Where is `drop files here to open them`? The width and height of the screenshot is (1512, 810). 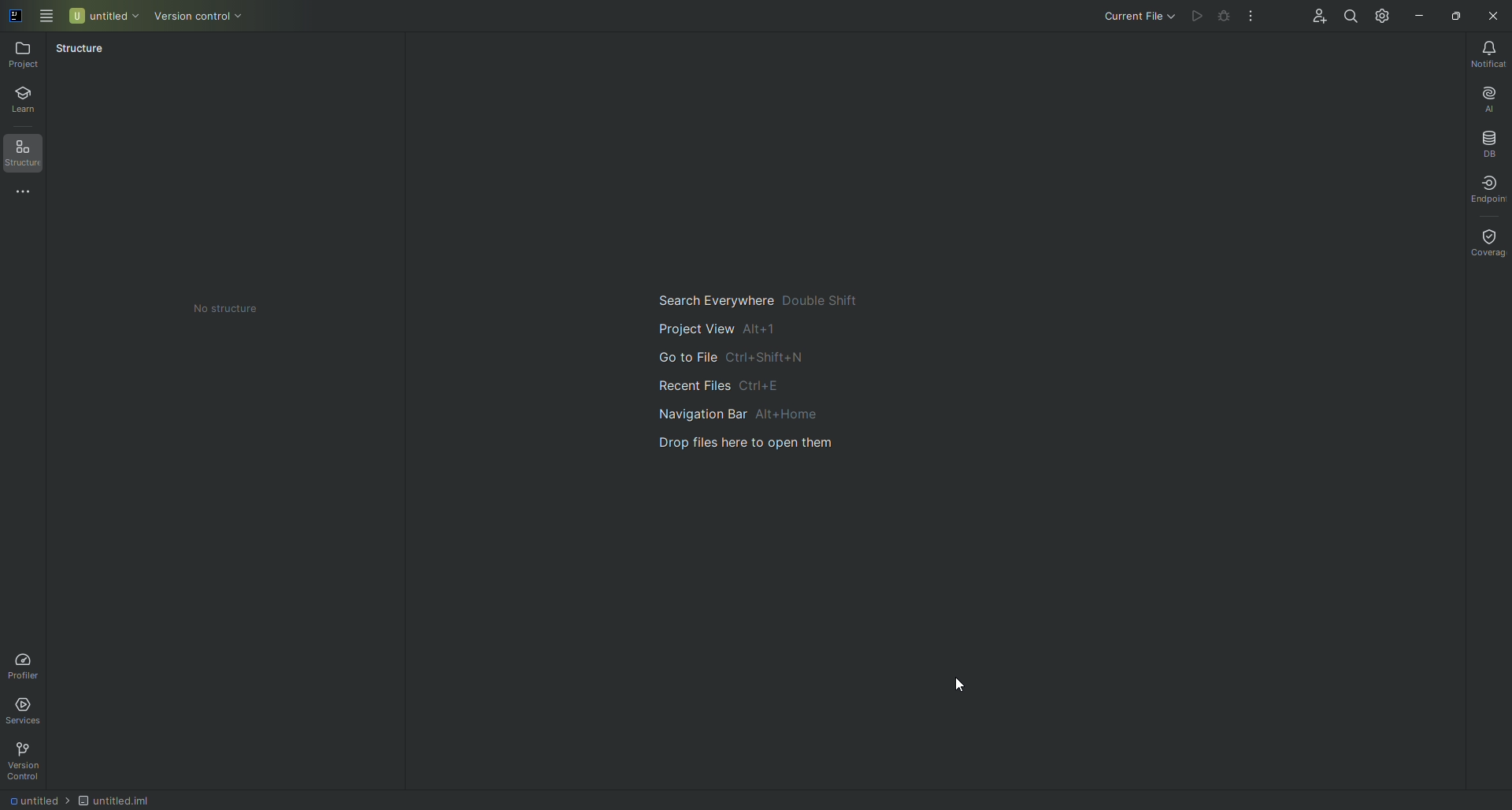
drop files here to open them is located at coordinates (772, 452).